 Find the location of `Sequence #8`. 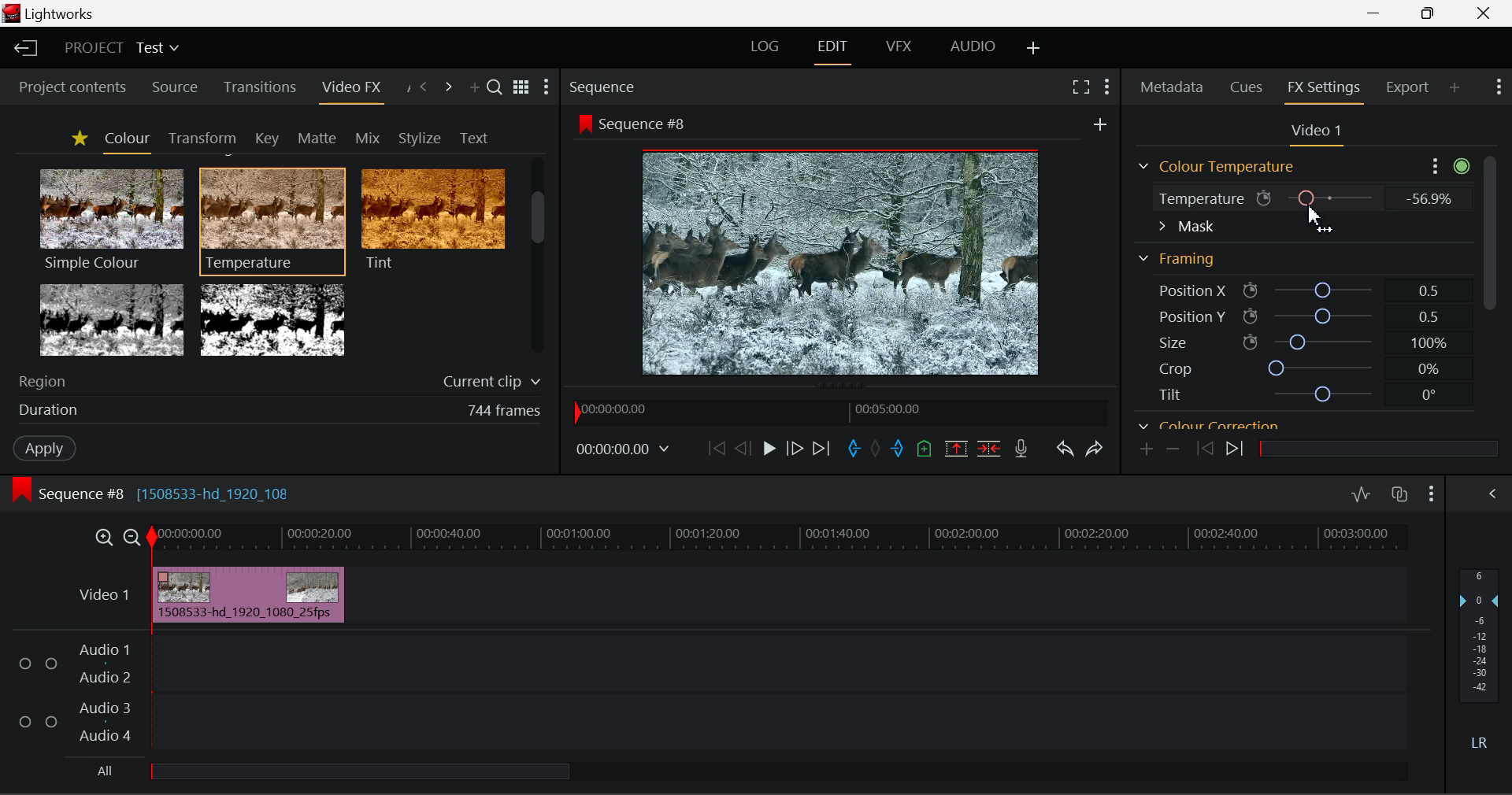

Sequence #8 is located at coordinates (649, 125).